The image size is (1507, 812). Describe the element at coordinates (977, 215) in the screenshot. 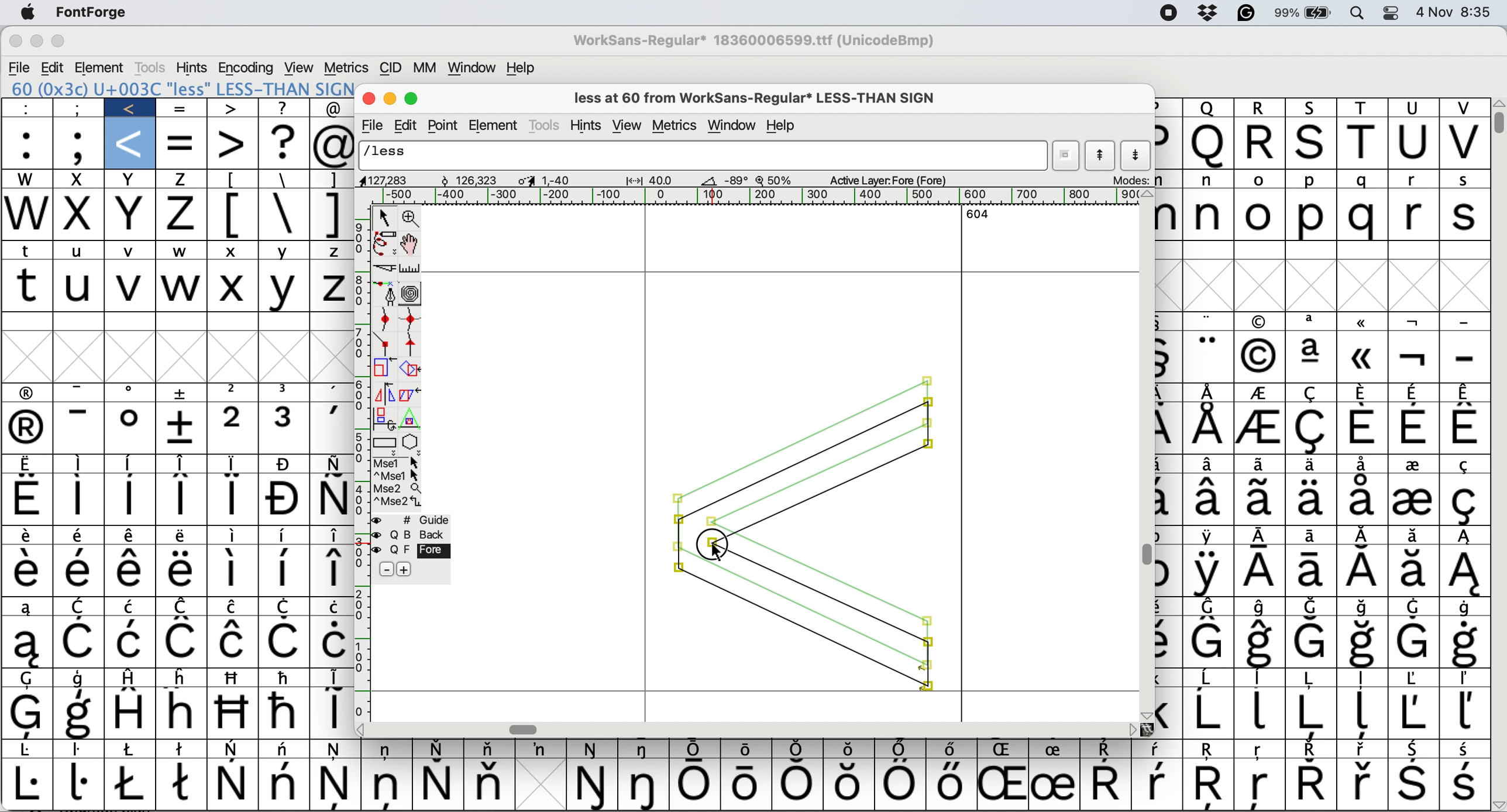

I see `604` at that location.